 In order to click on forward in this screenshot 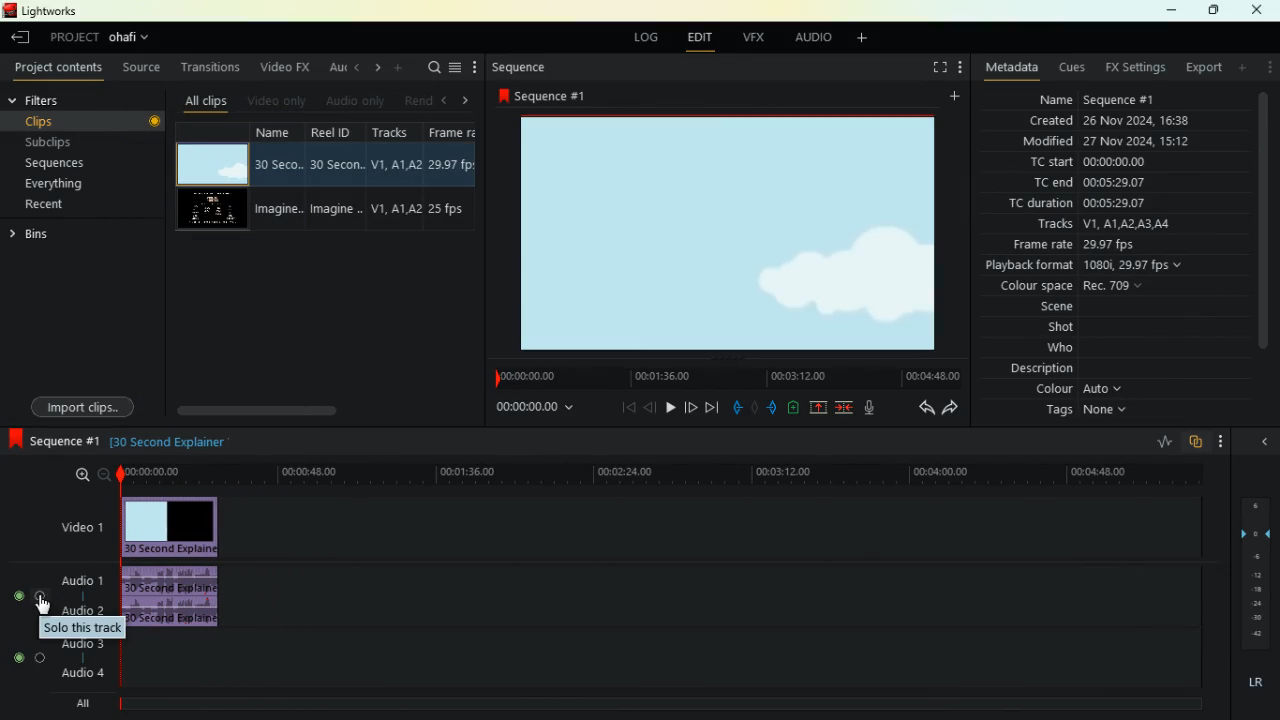, I will do `click(690, 407)`.